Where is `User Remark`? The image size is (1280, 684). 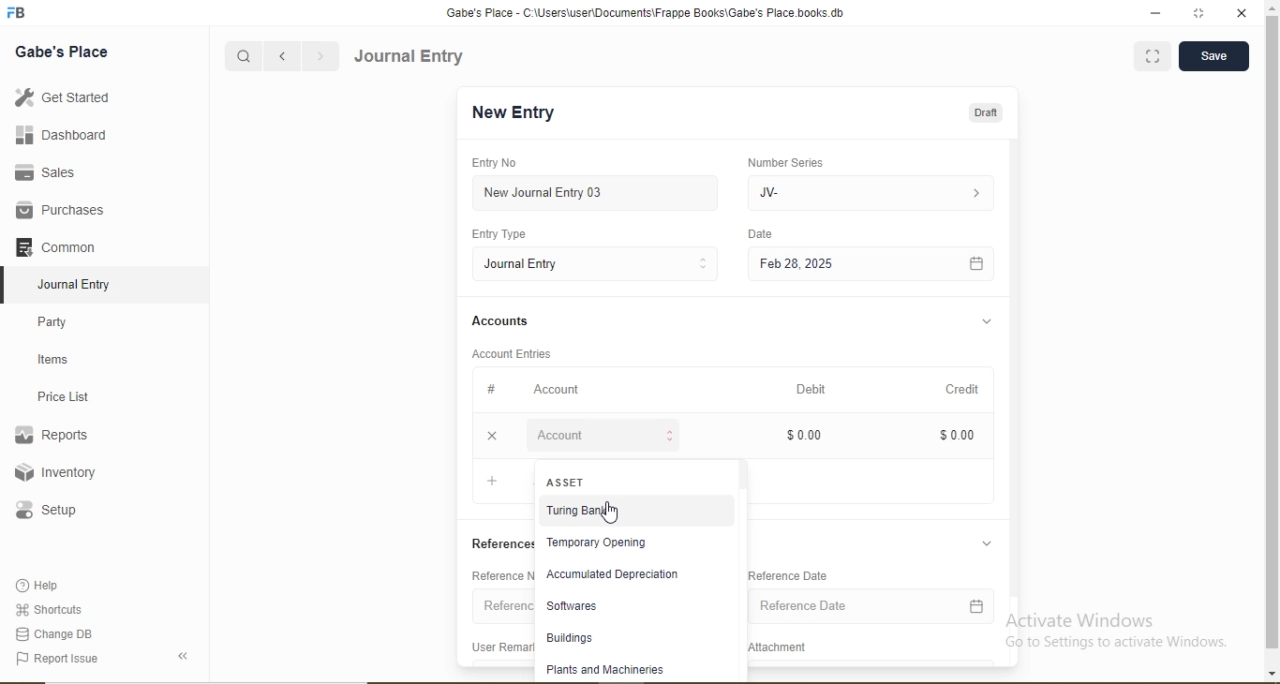 User Remark is located at coordinates (501, 646).